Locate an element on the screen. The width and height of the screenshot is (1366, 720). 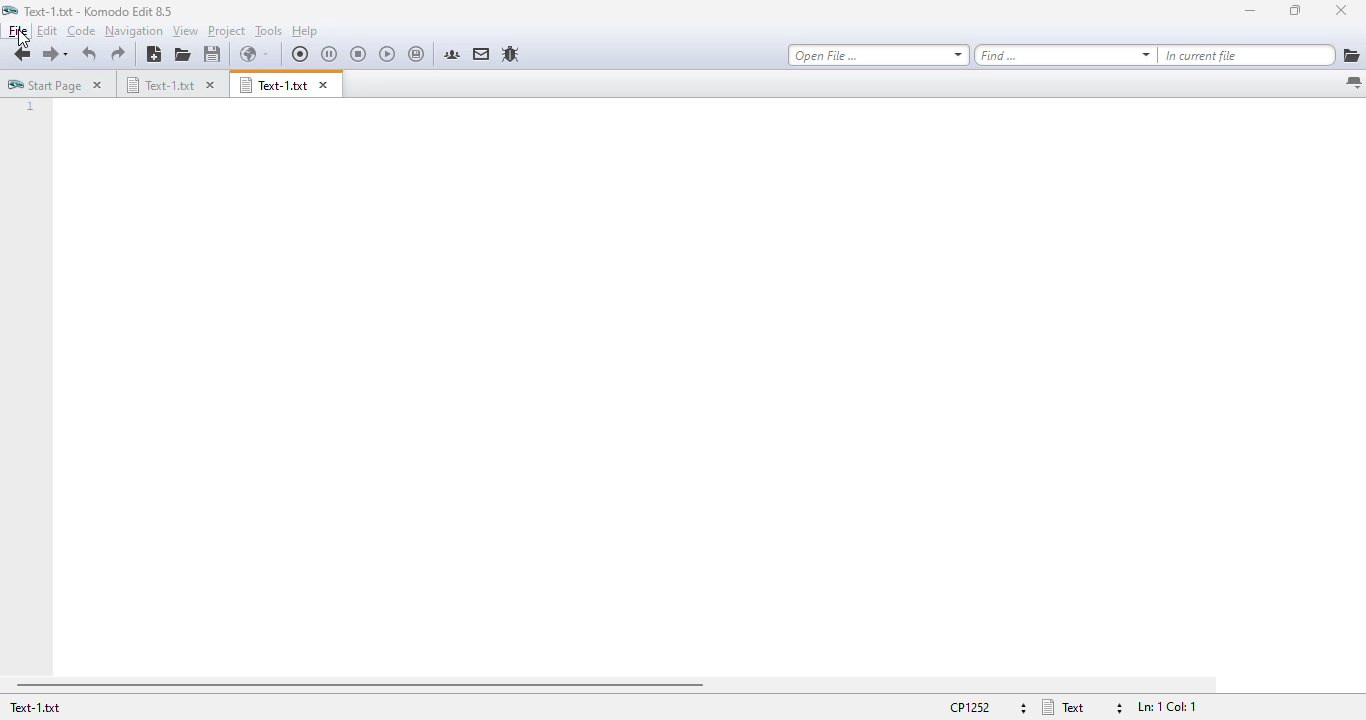
komodo email lists is located at coordinates (482, 53).